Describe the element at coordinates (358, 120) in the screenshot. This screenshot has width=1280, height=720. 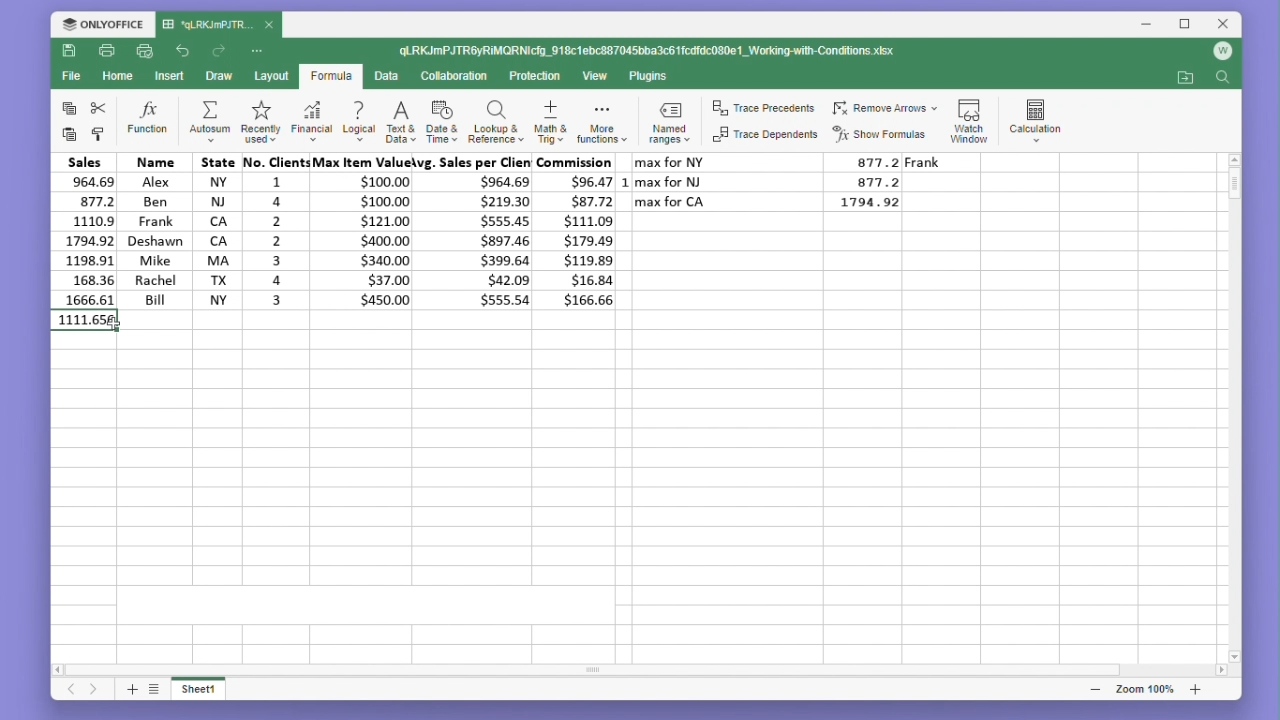
I see `Logical` at that location.